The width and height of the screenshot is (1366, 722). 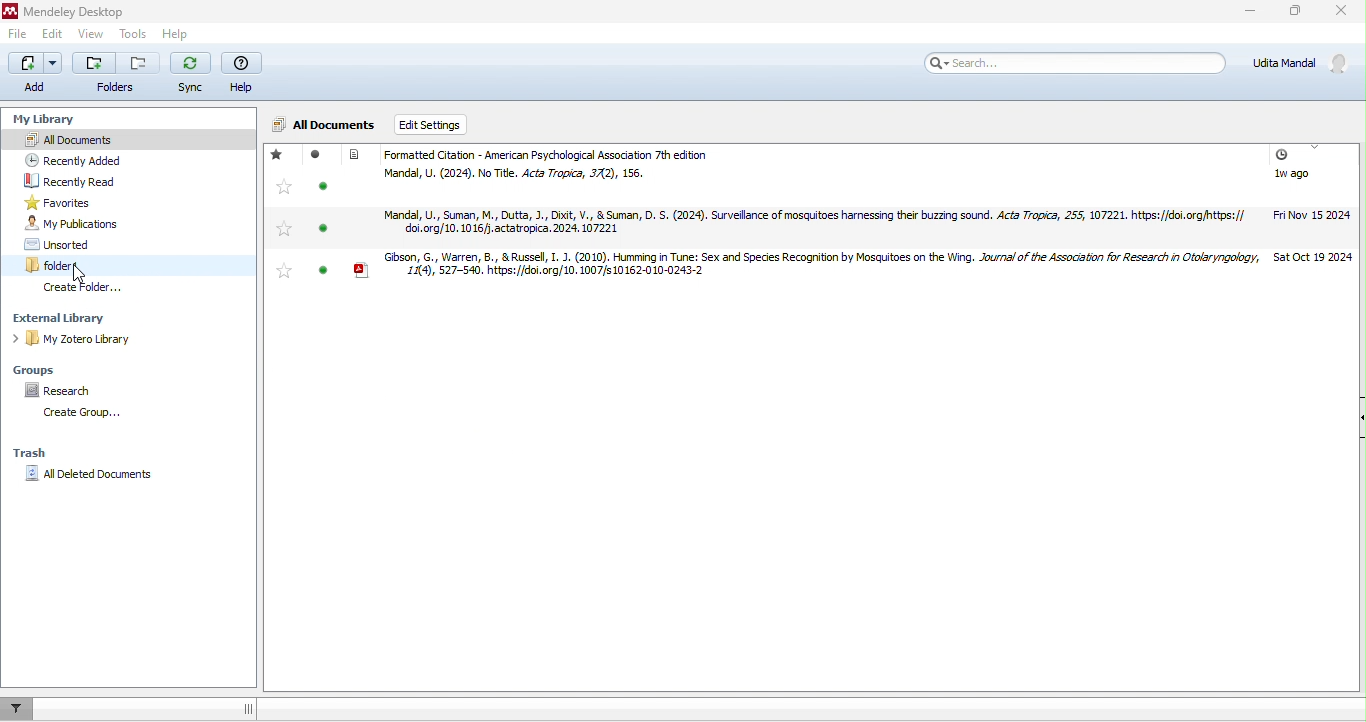 What do you see at coordinates (138, 474) in the screenshot?
I see `all deleted documents` at bounding box center [138, 474].